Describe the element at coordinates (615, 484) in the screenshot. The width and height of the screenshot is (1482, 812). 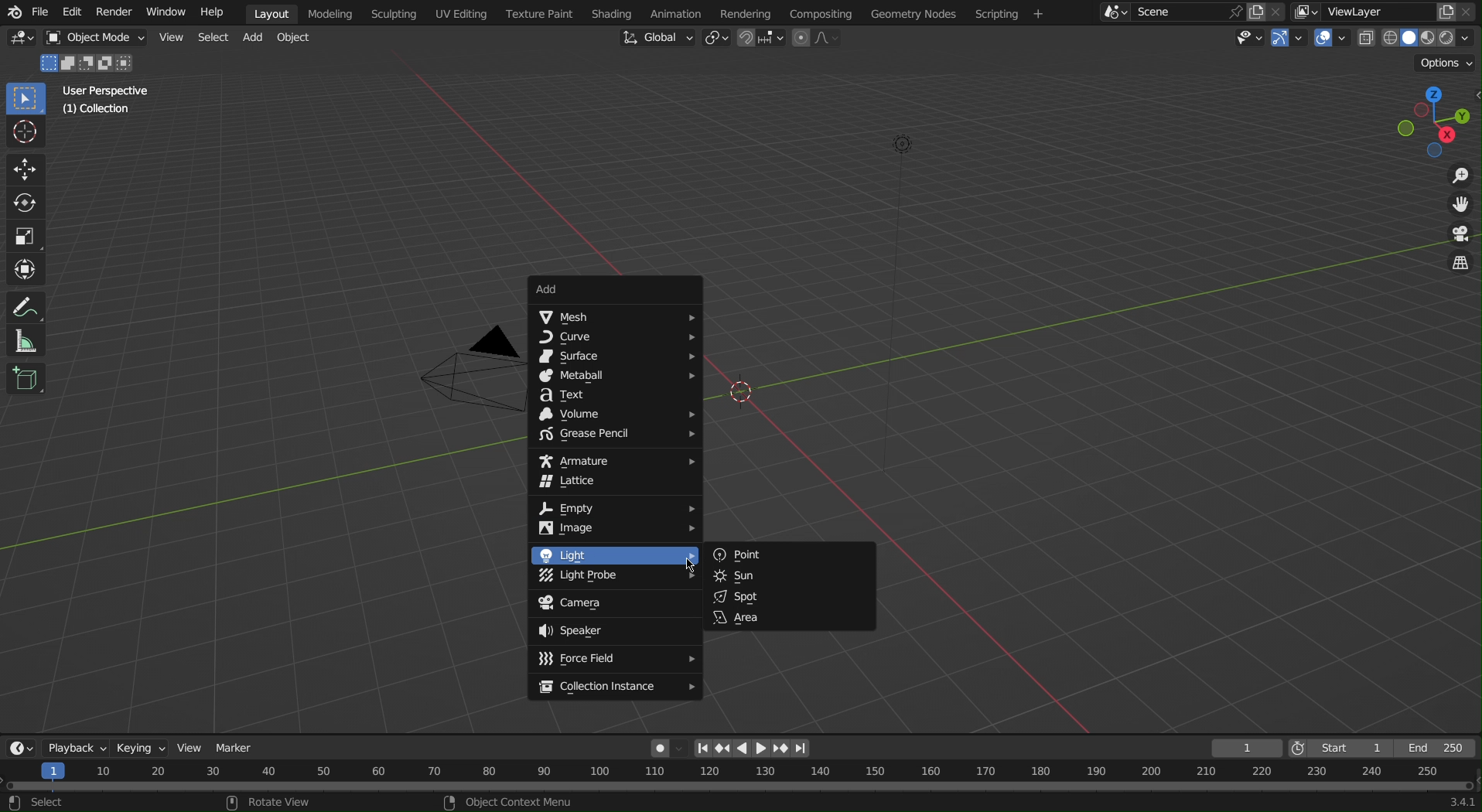
I see `Lattice` at that location.